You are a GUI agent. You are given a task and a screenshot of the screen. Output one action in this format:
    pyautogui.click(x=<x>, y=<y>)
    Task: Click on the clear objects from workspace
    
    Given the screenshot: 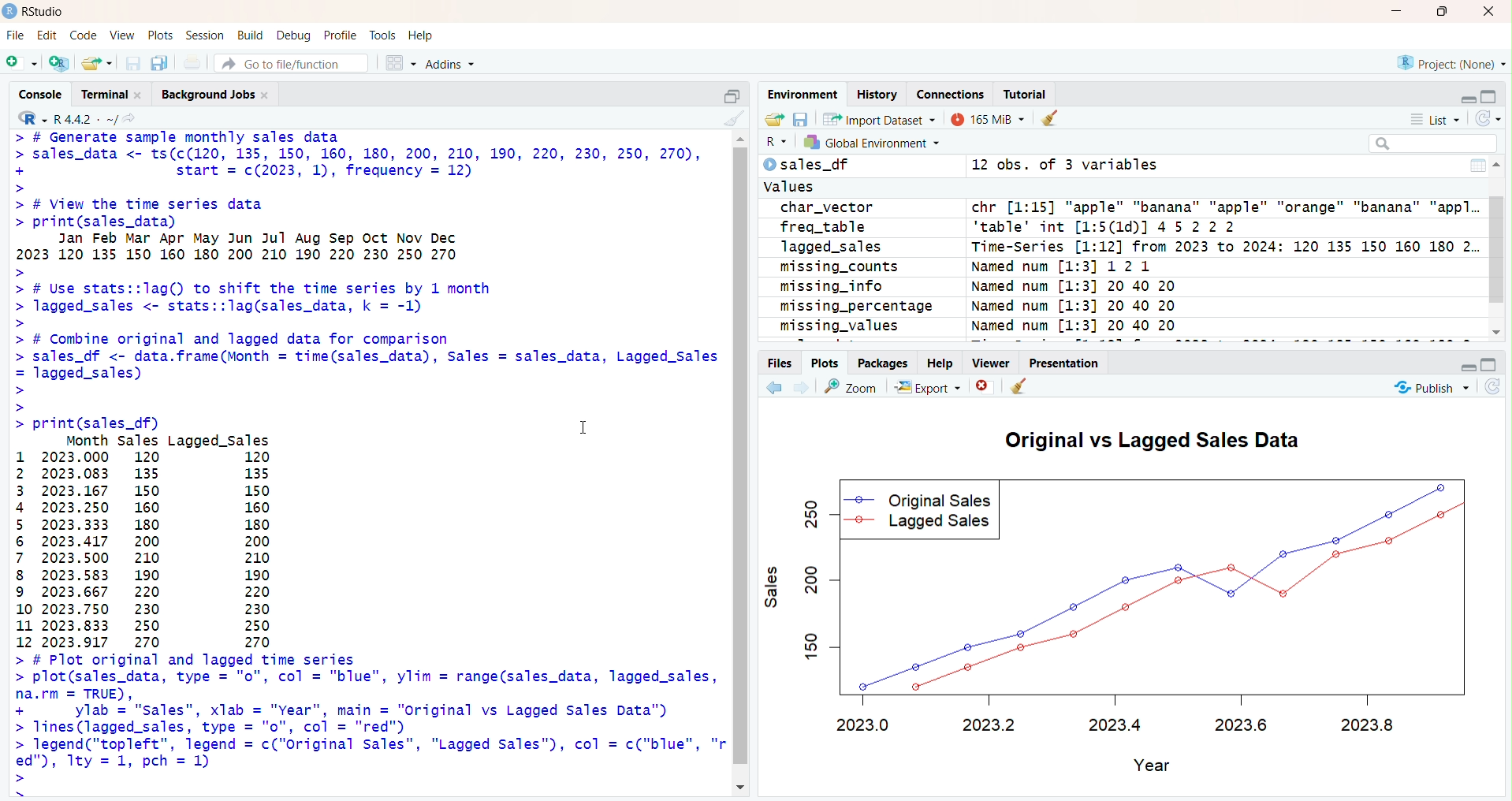 What is the action you would take?
    pyautogui.click(x=1052, y=119)
    